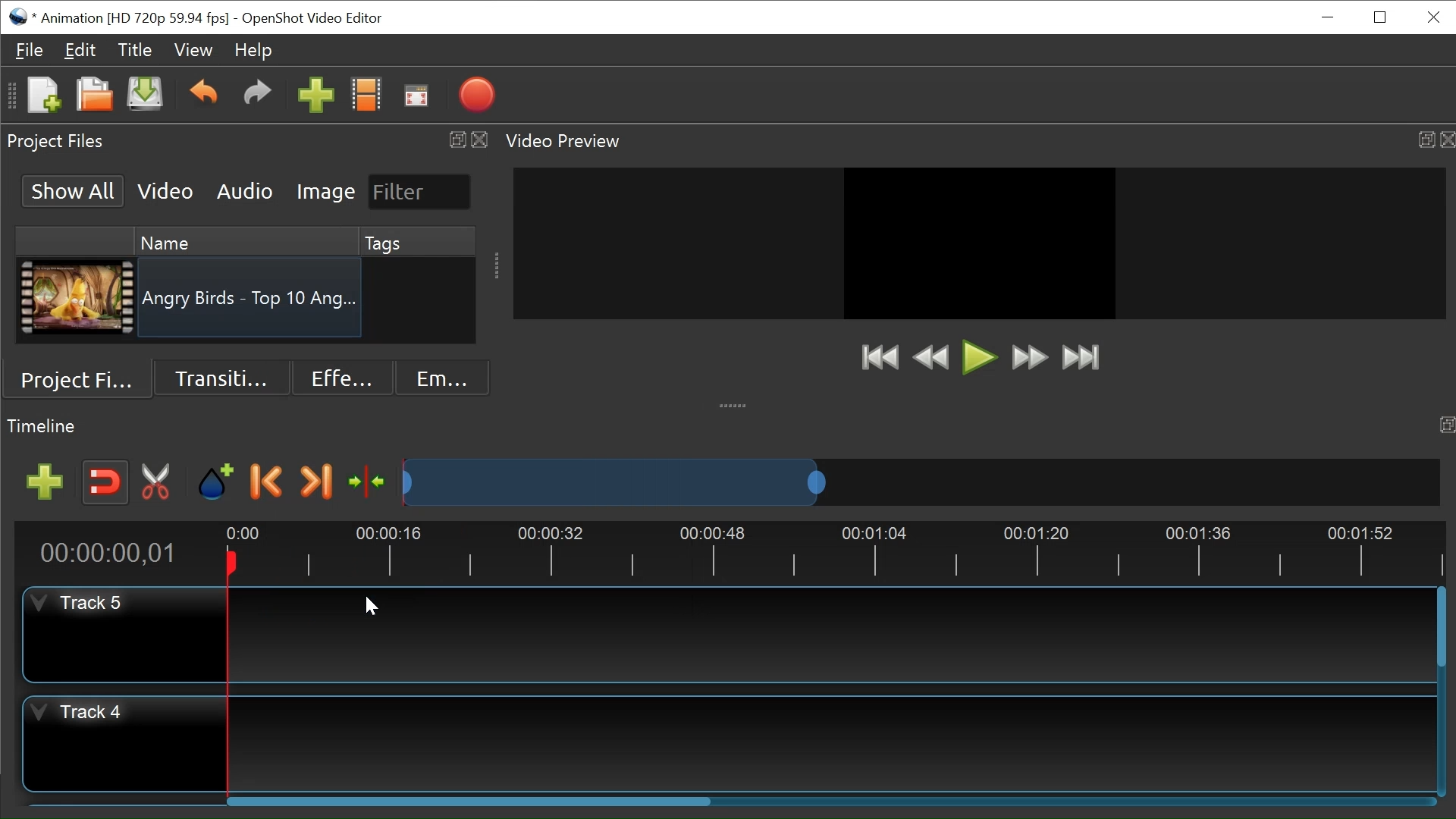 Image resolution: width=1456 pixels, height=819 pixels. I want to click on Fullscreen, so click(418, 96).